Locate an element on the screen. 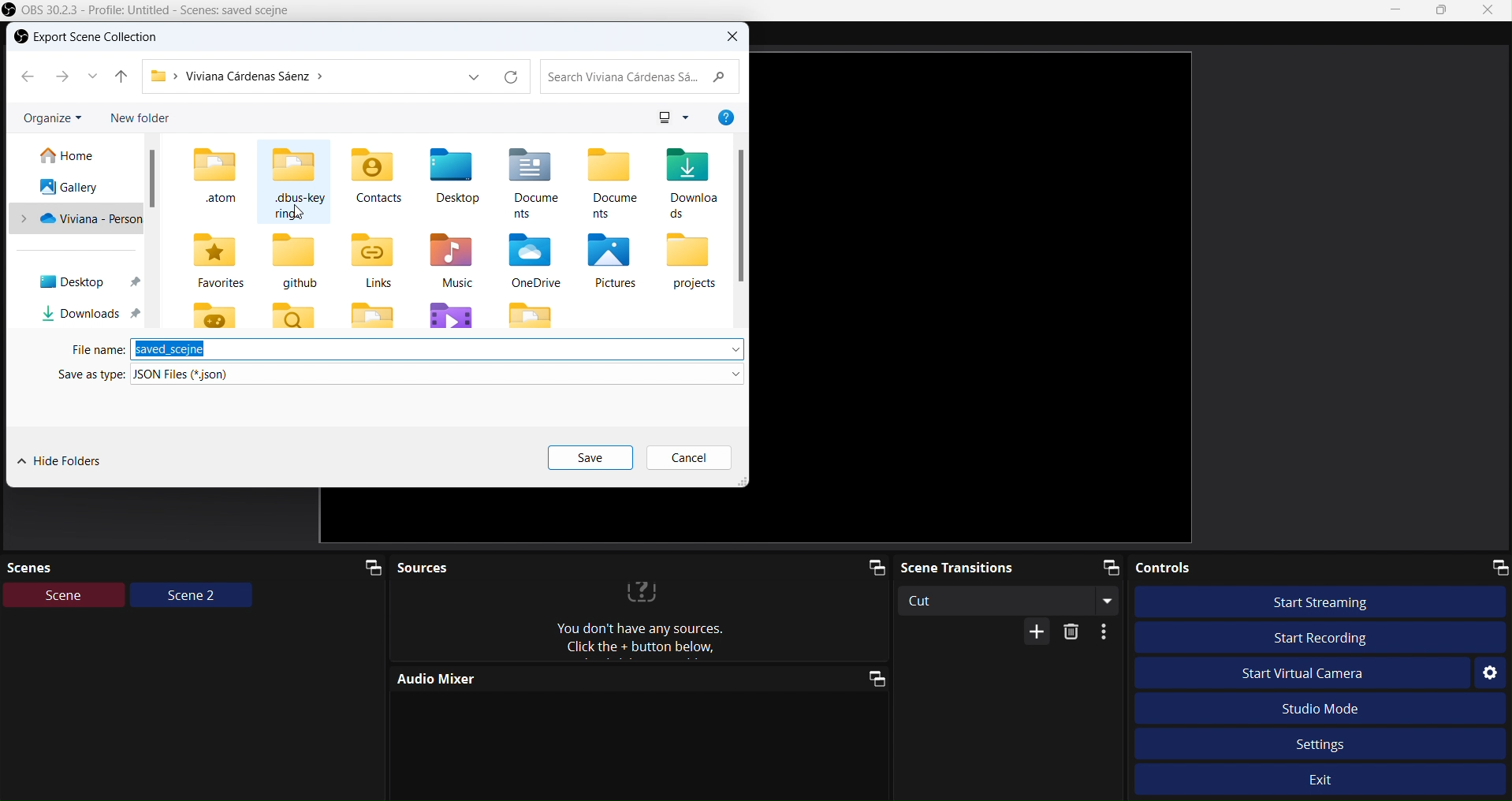 The height and width of the screenshot is (801, 1512). github is located at coordinates (295, 261).